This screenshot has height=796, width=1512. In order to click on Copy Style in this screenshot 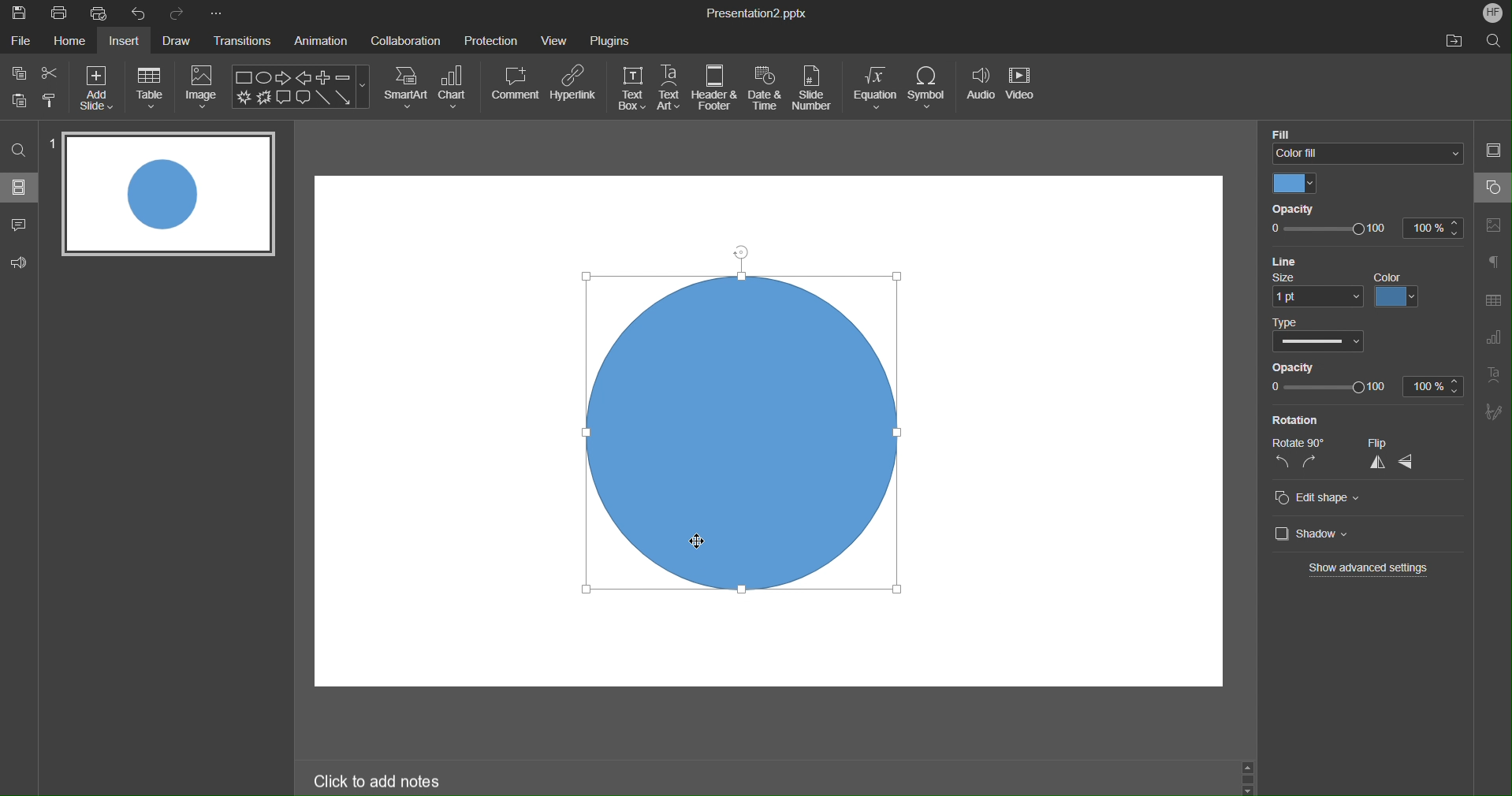, I will do `click(50, 99)`.